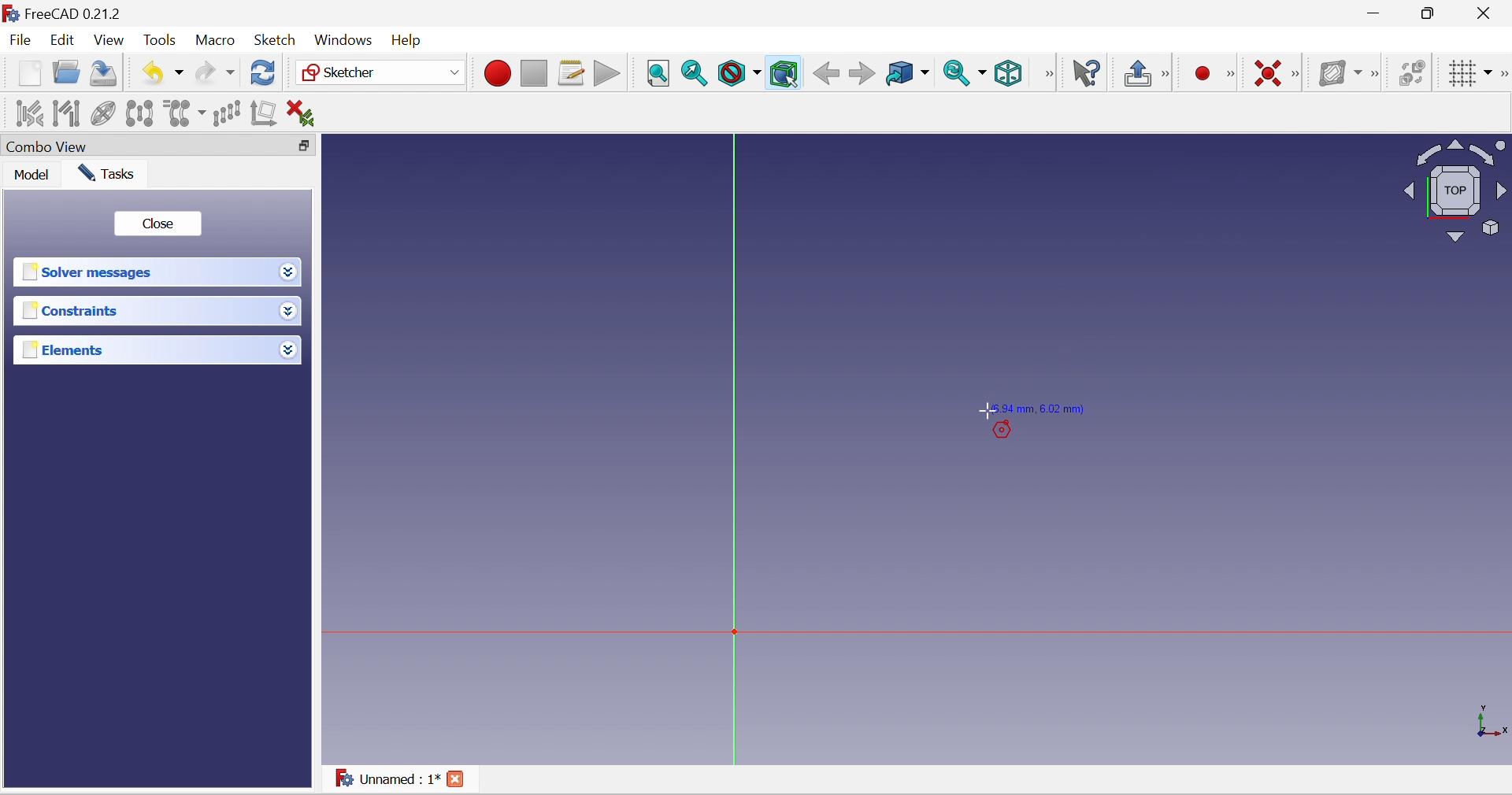  Describe the element at coordinates (1488, 12) in the screenshot. I see `Close` at that location.